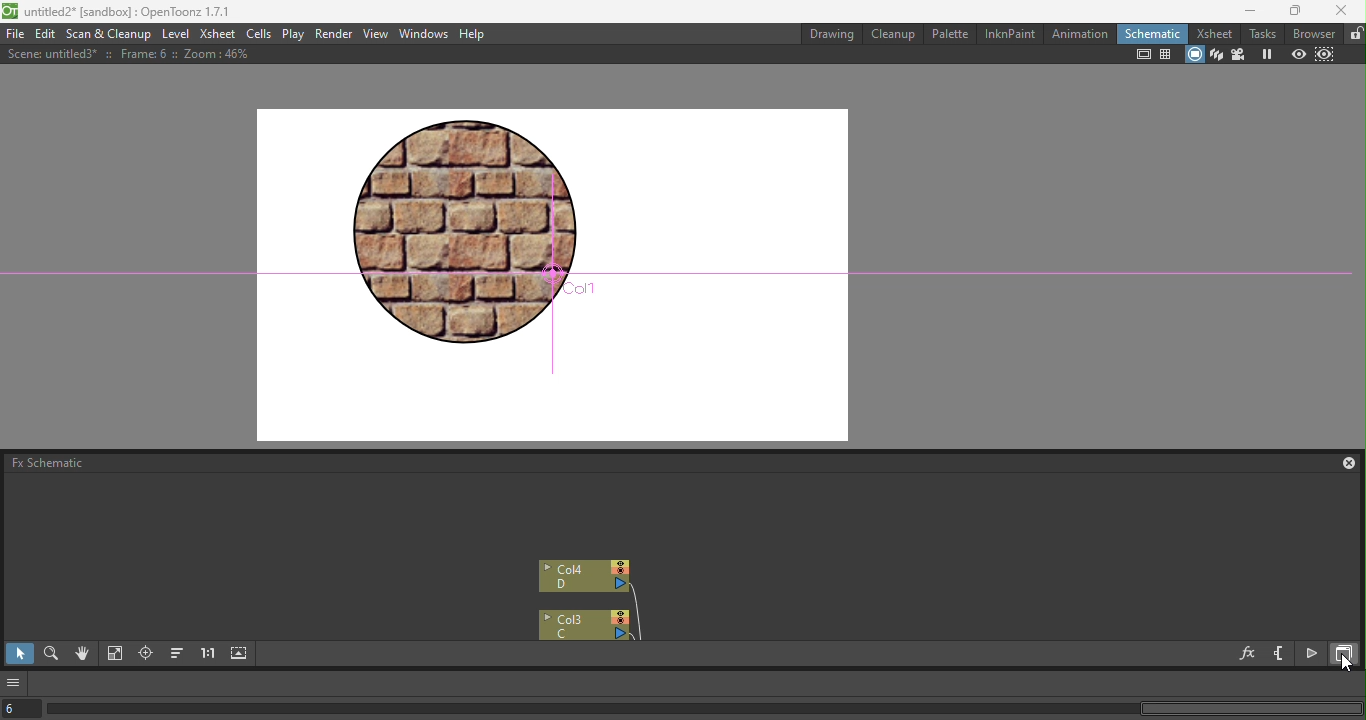 Image resolution: width=1366 pixels, height=720 pixels. What do you see at coordinates (1242, 11) in the screenshot?
I see `Minimize` at bounding box center [1242, 11].